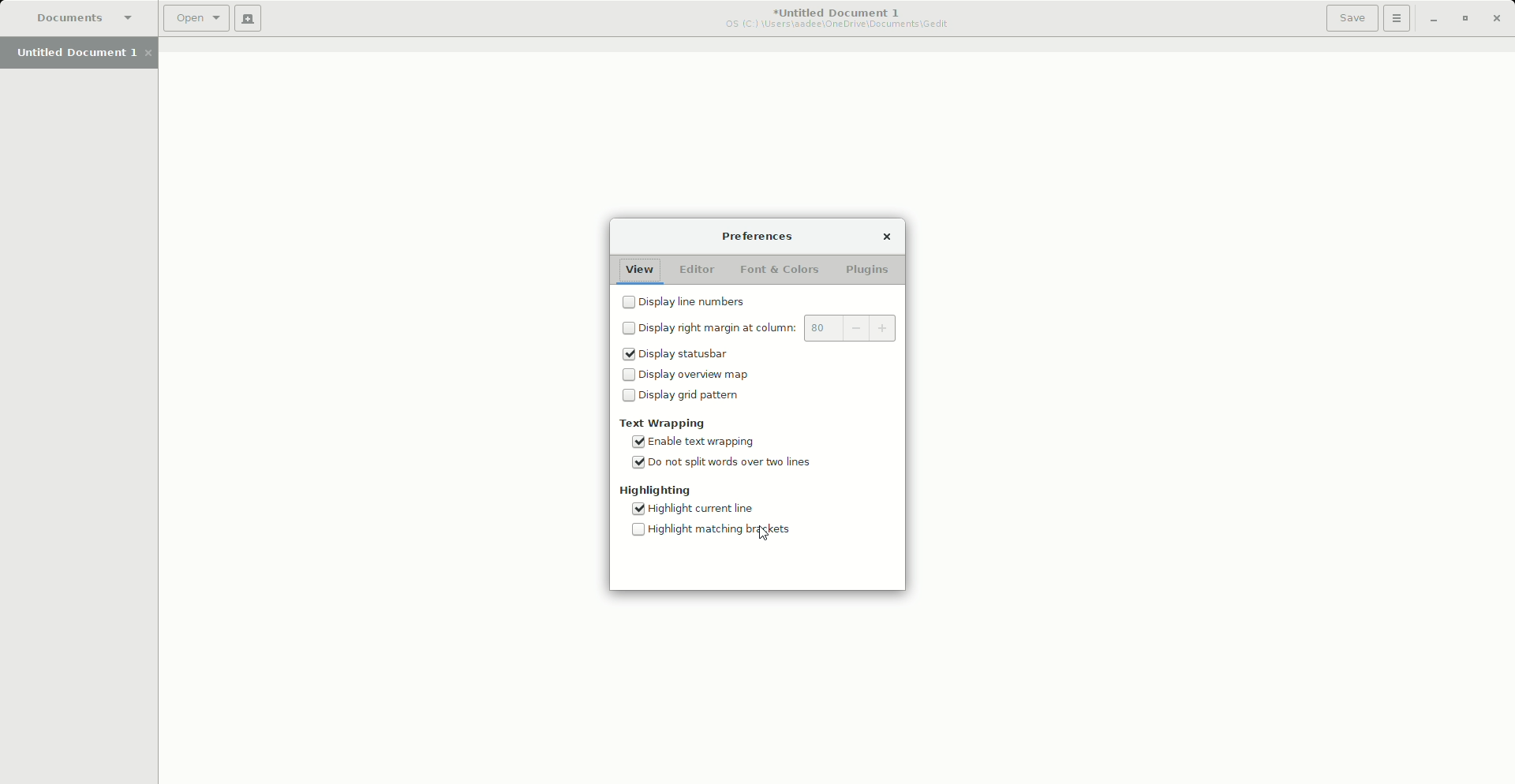 The width and height of the screenshot is (1515, 784). I want to click on Highlight current line, so click(702, 511).